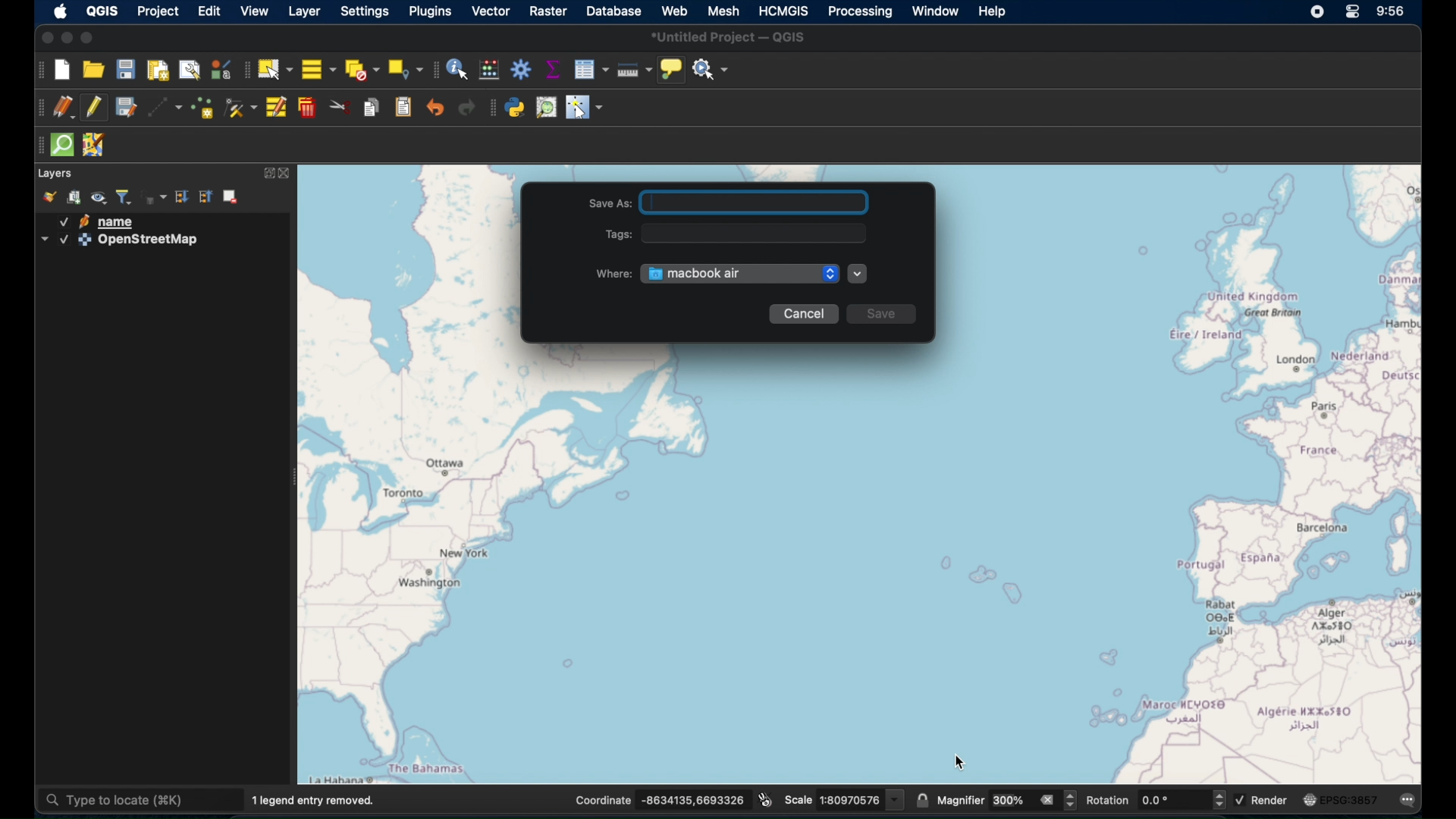 The height and width of the screenshot is (819, 1456). I want to click on project, so click(156, 11).